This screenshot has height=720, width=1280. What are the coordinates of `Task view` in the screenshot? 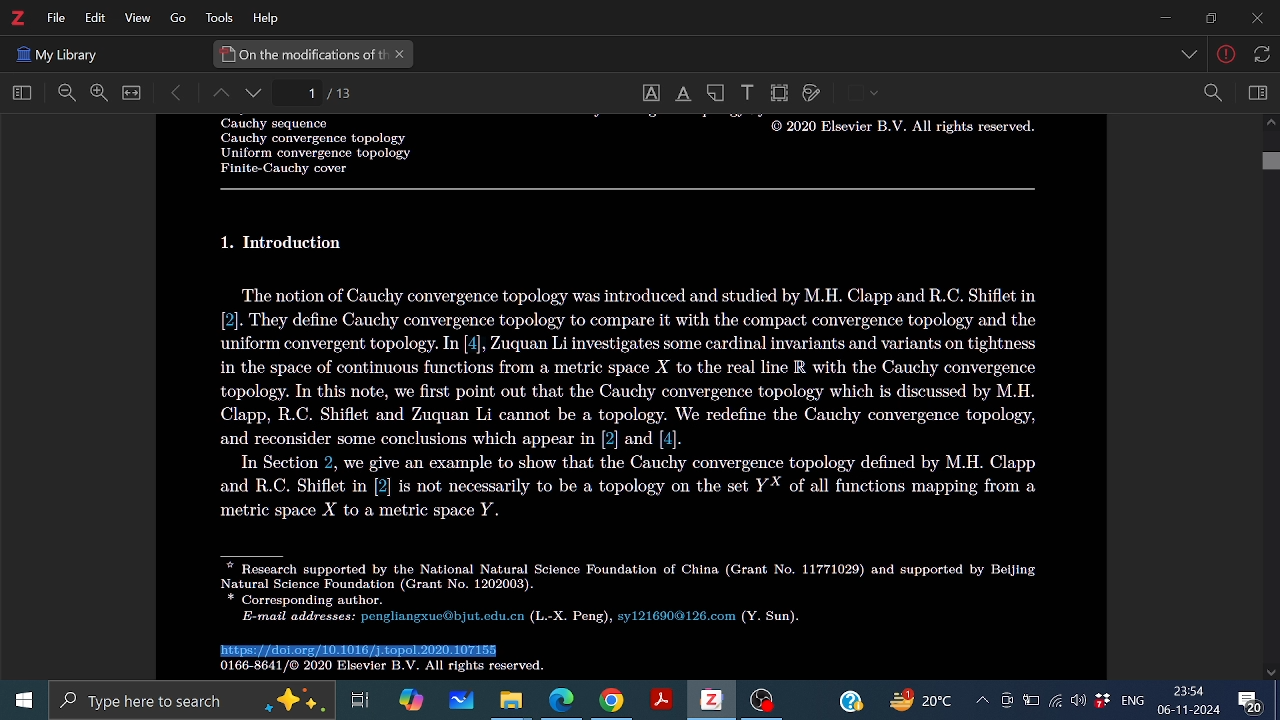 It's located at (361, 700).